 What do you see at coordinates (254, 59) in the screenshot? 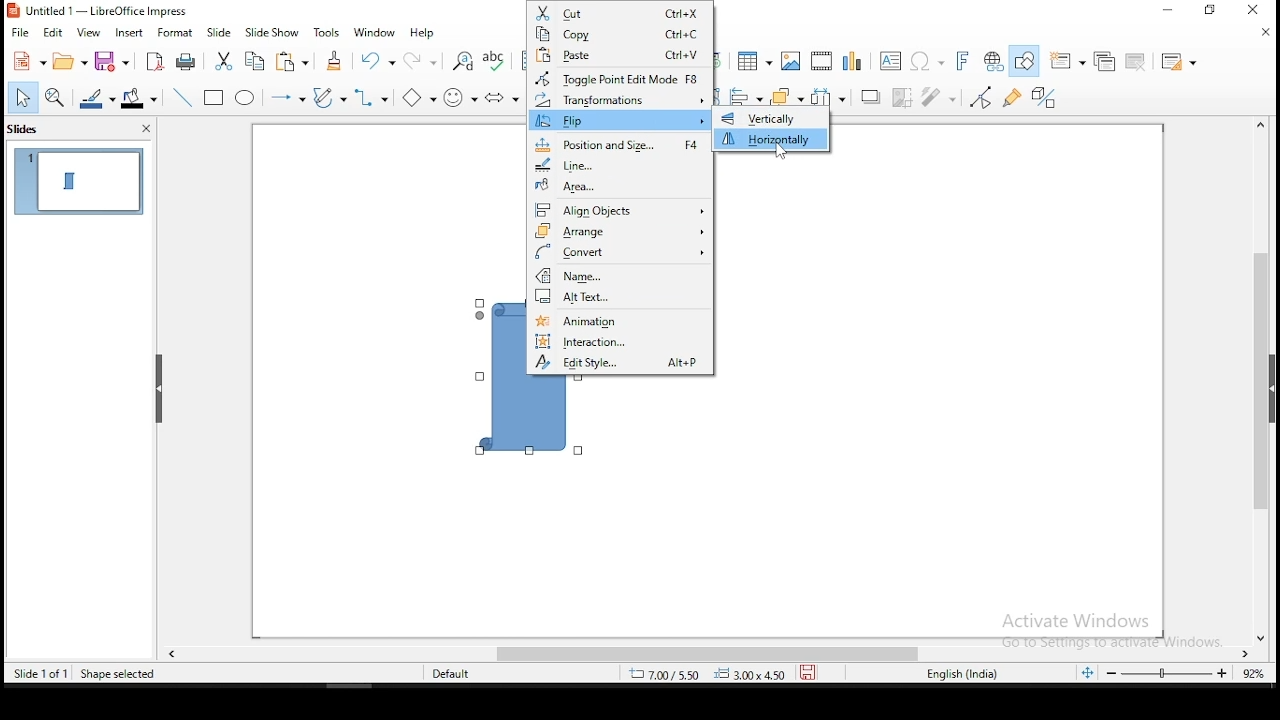
I see `copy` at bounding box center [254, 59].